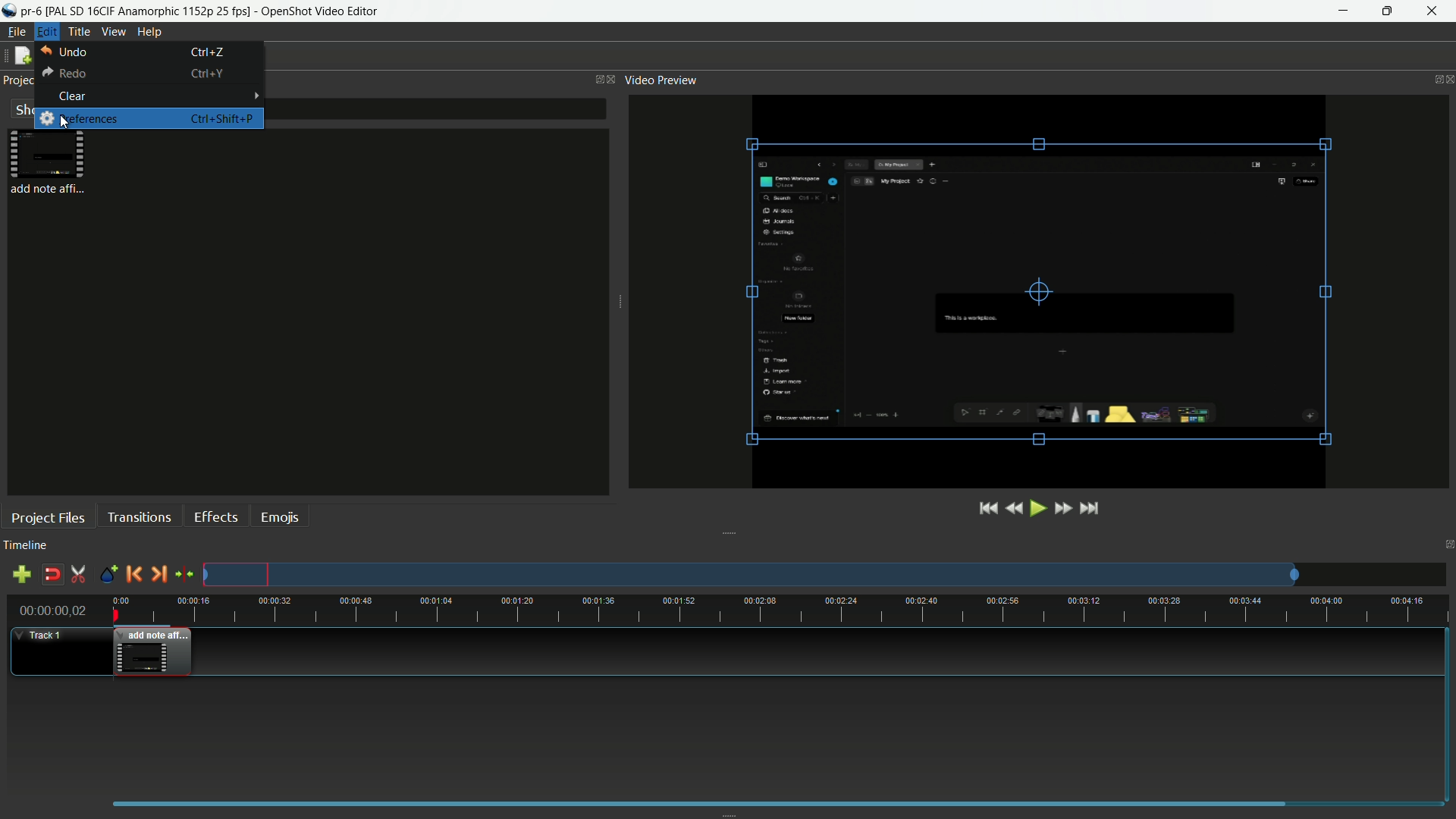 This screenshot has width=1456, height=819. Describe the element at coordinates (48, 635) in the screenshot. I see `track-1` at that location.